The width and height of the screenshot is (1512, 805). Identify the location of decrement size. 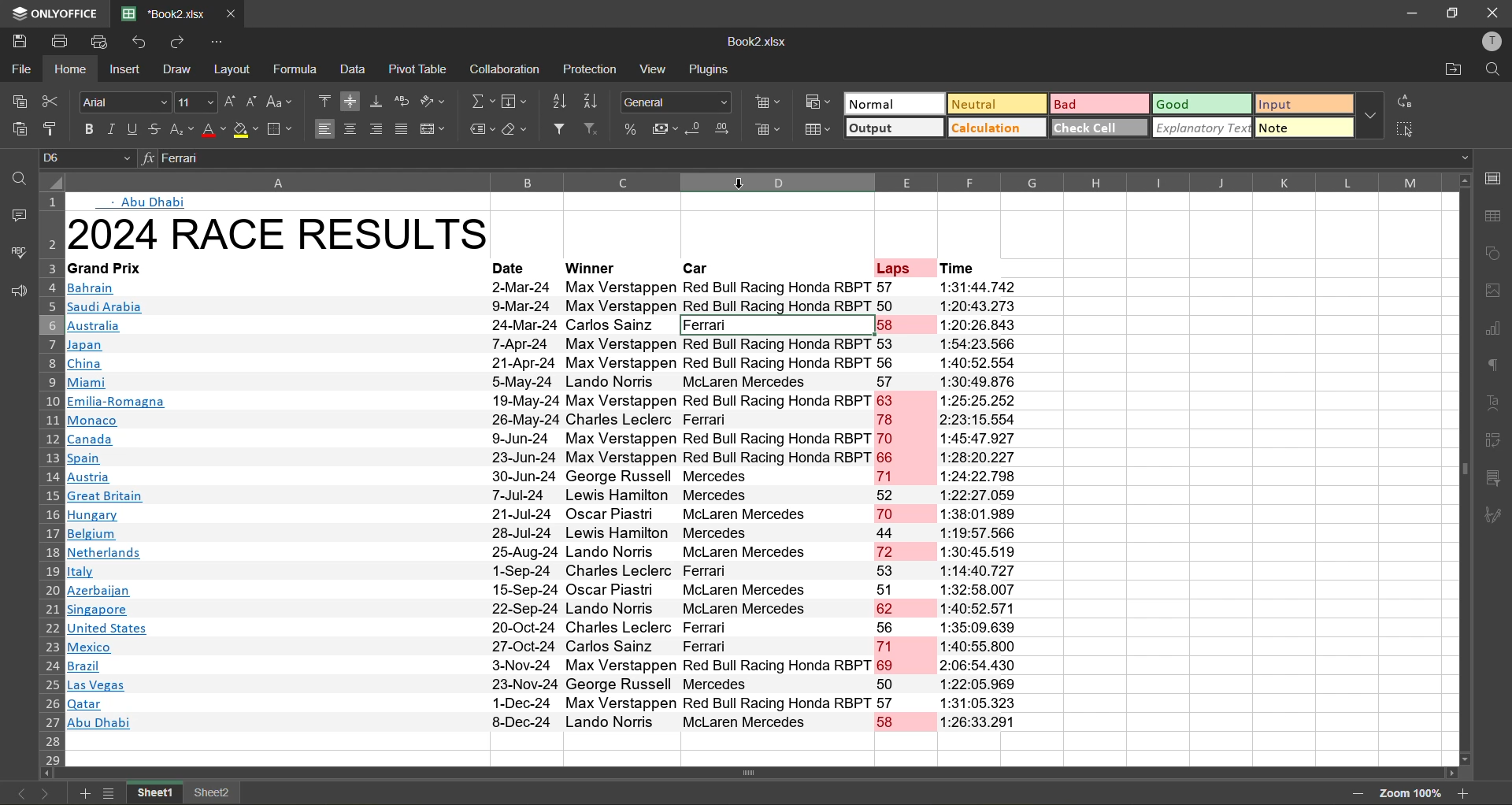
(254, 103).